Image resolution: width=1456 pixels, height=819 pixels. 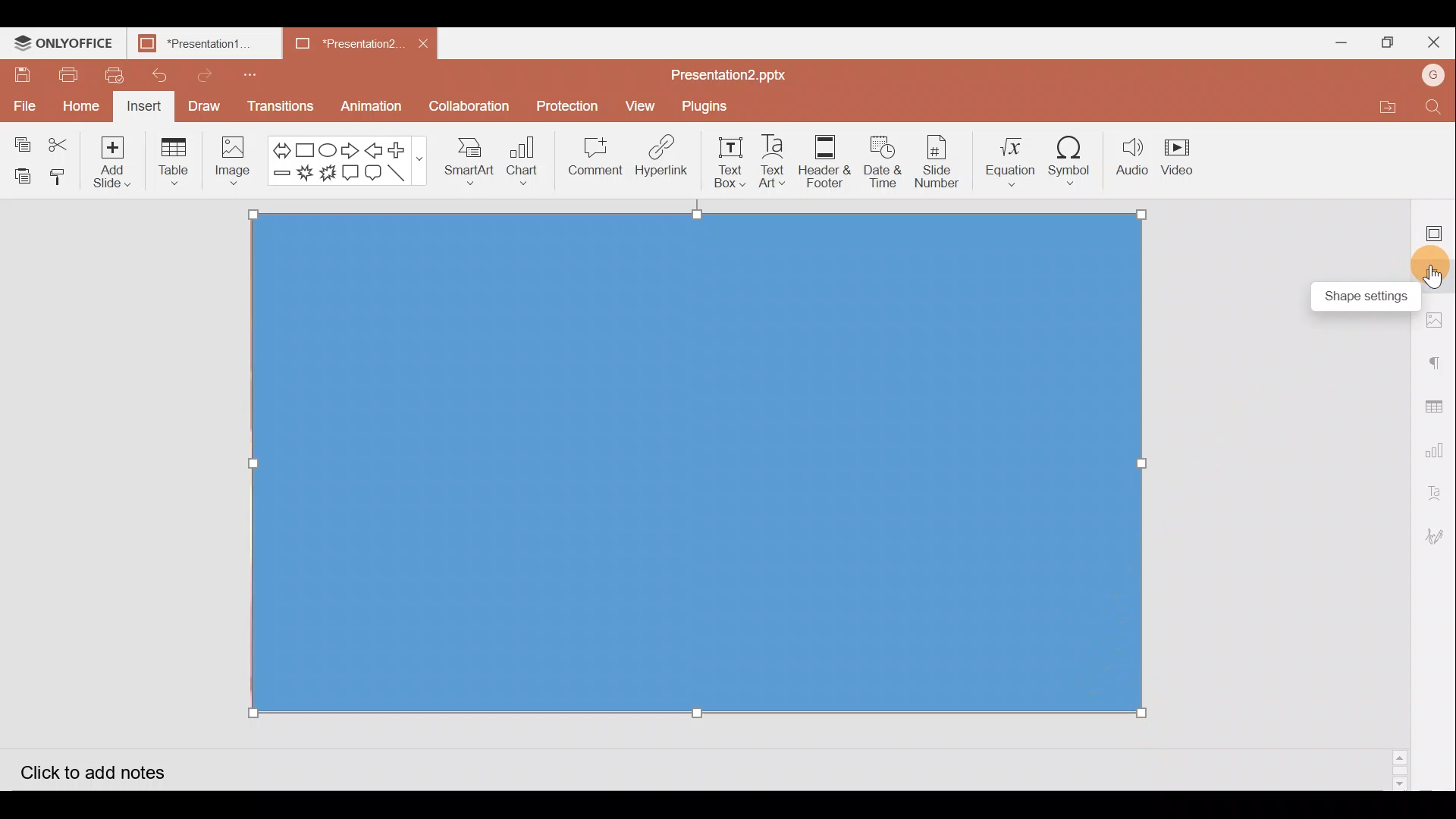 I want to click on Print file, so click(x=62, y=76).